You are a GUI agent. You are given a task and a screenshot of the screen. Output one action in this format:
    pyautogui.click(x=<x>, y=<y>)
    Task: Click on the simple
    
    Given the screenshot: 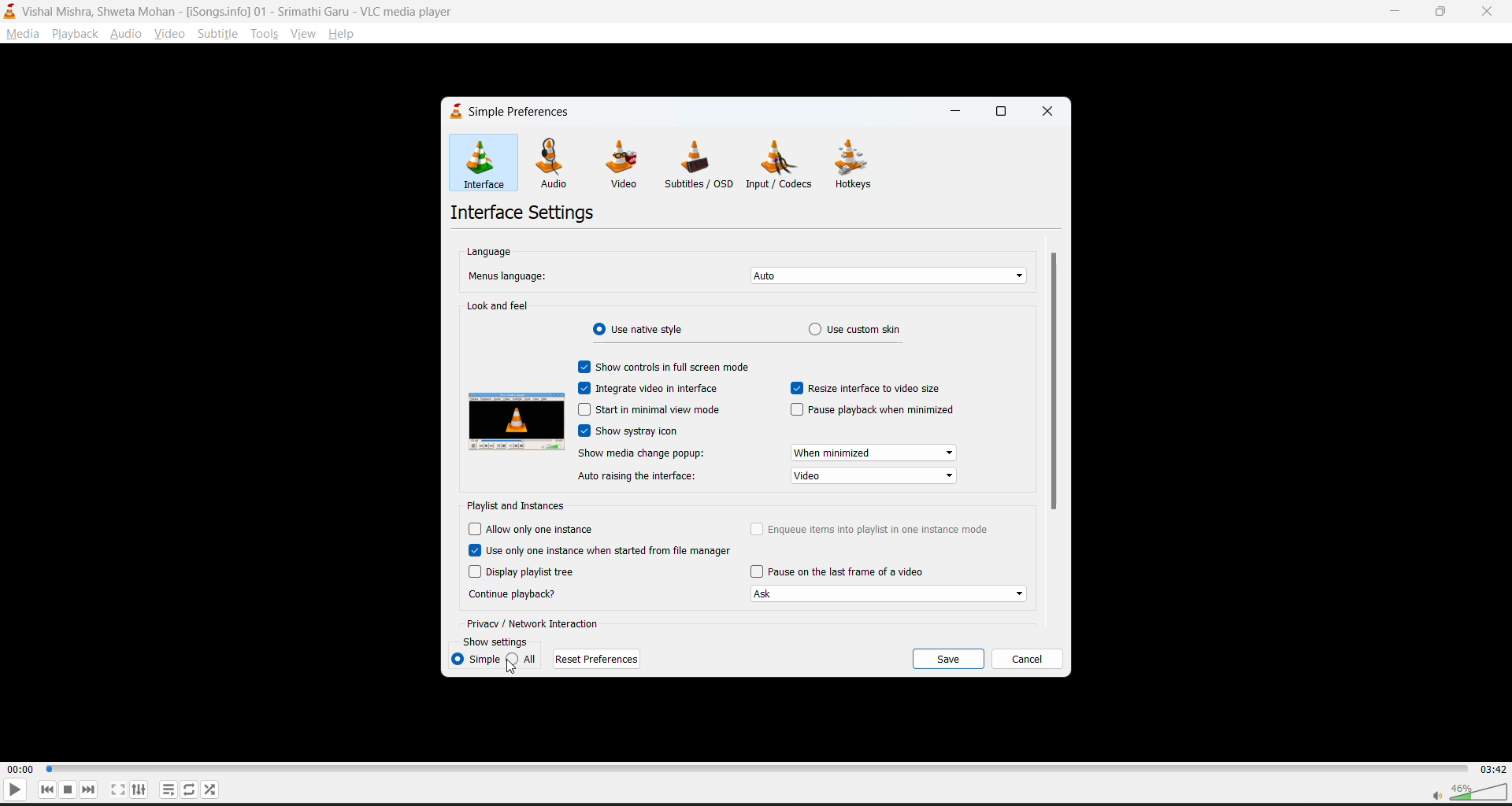 What is the action you would take?
    pyautogui.click(x=472, y=660)
    